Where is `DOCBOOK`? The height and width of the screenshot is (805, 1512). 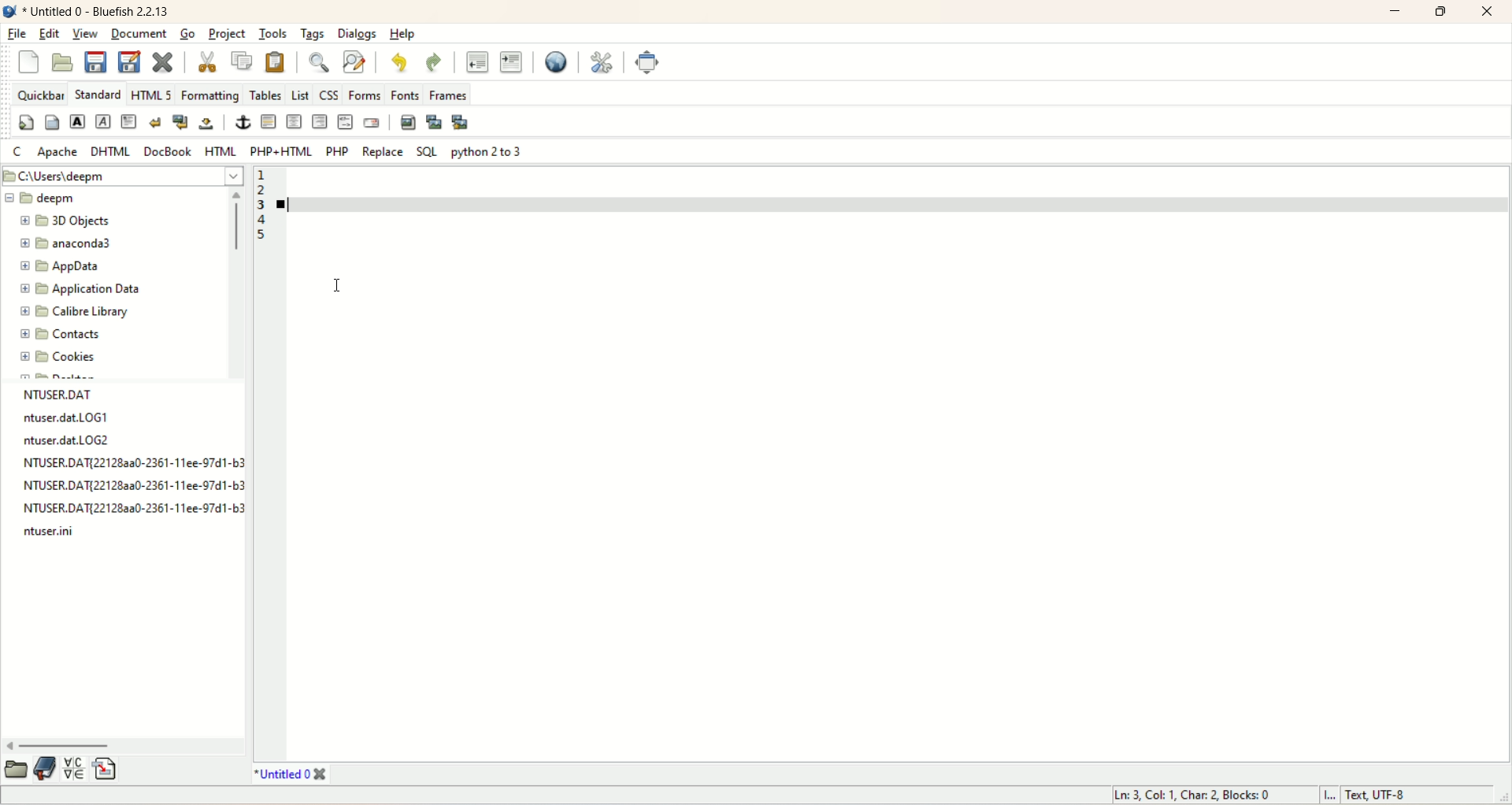 DOCBOOK is located at coordinates (169, 150).